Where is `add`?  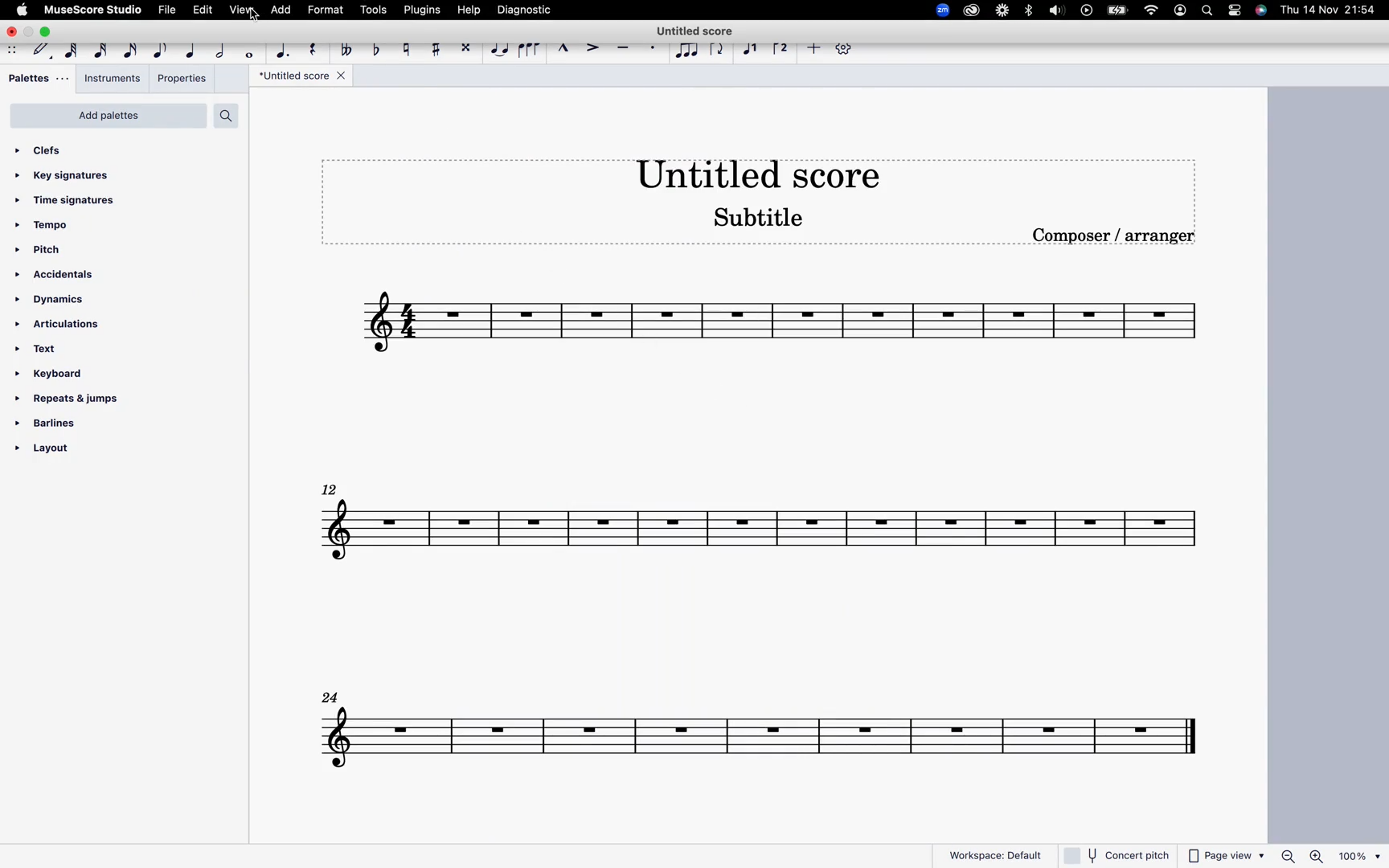 add is located at coordinates (281, 10).